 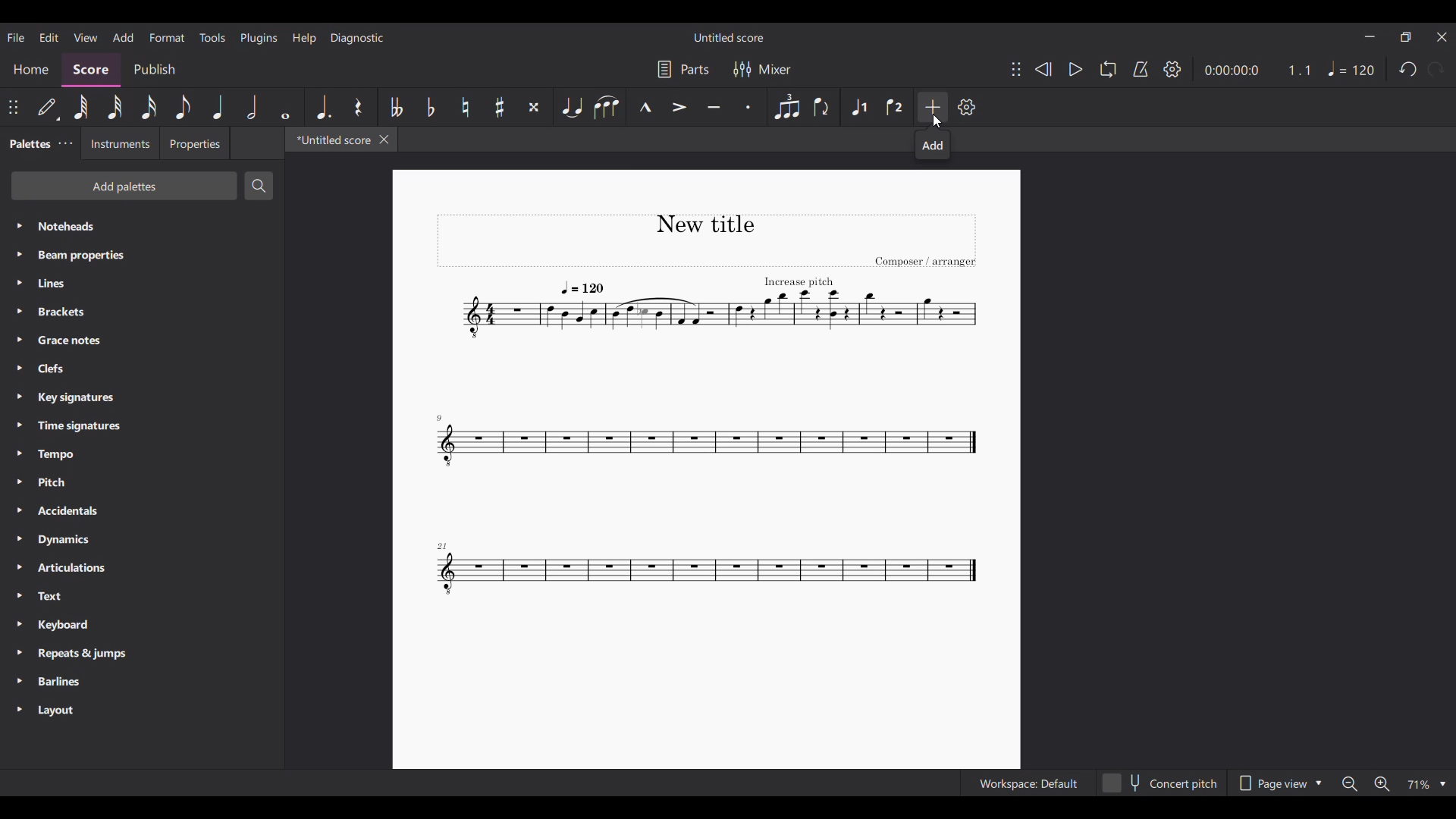 What do you see at coordinates (142, 368) in the screenshot?
I see `Clefs` at bounding box center [142, 368].